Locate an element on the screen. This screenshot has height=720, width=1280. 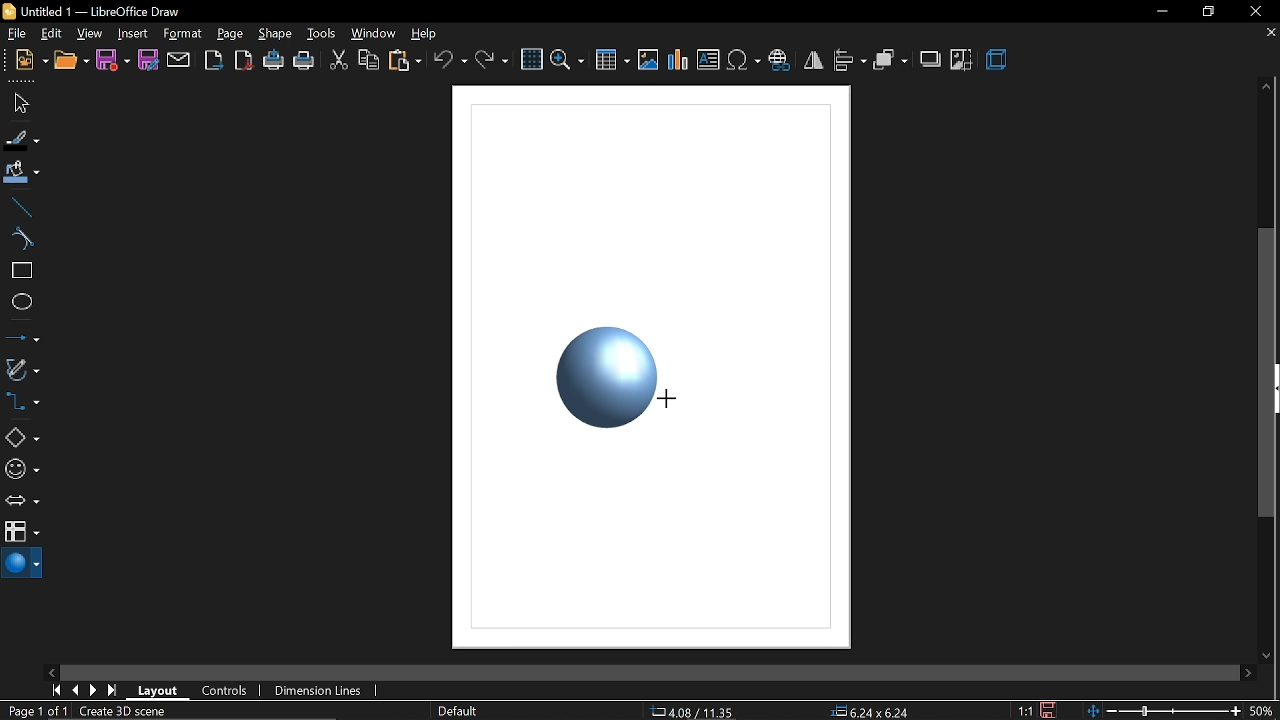
paste is located at coordinates (405, 61).